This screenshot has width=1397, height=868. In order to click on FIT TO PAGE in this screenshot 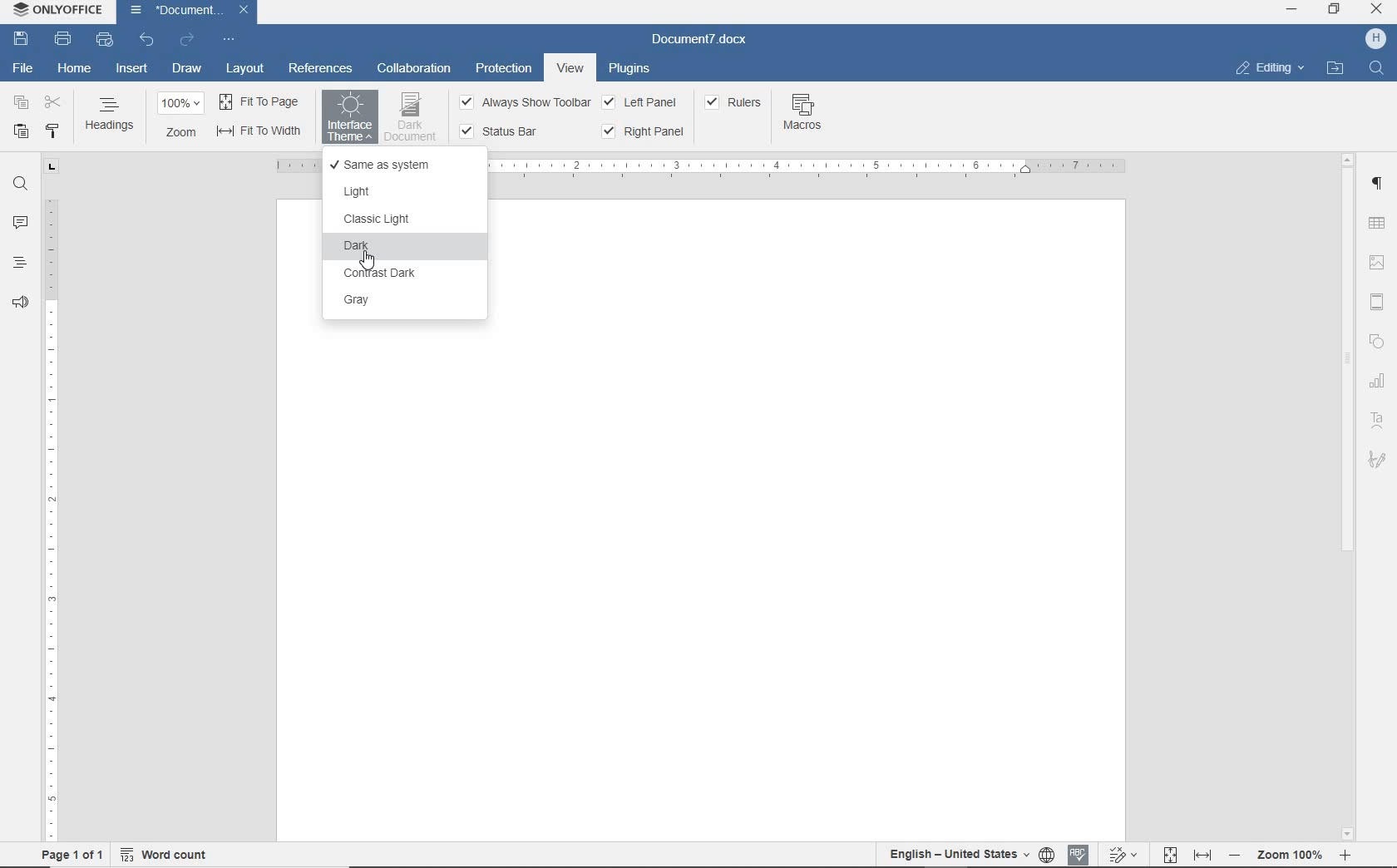, I will do `click(259, 101)`.